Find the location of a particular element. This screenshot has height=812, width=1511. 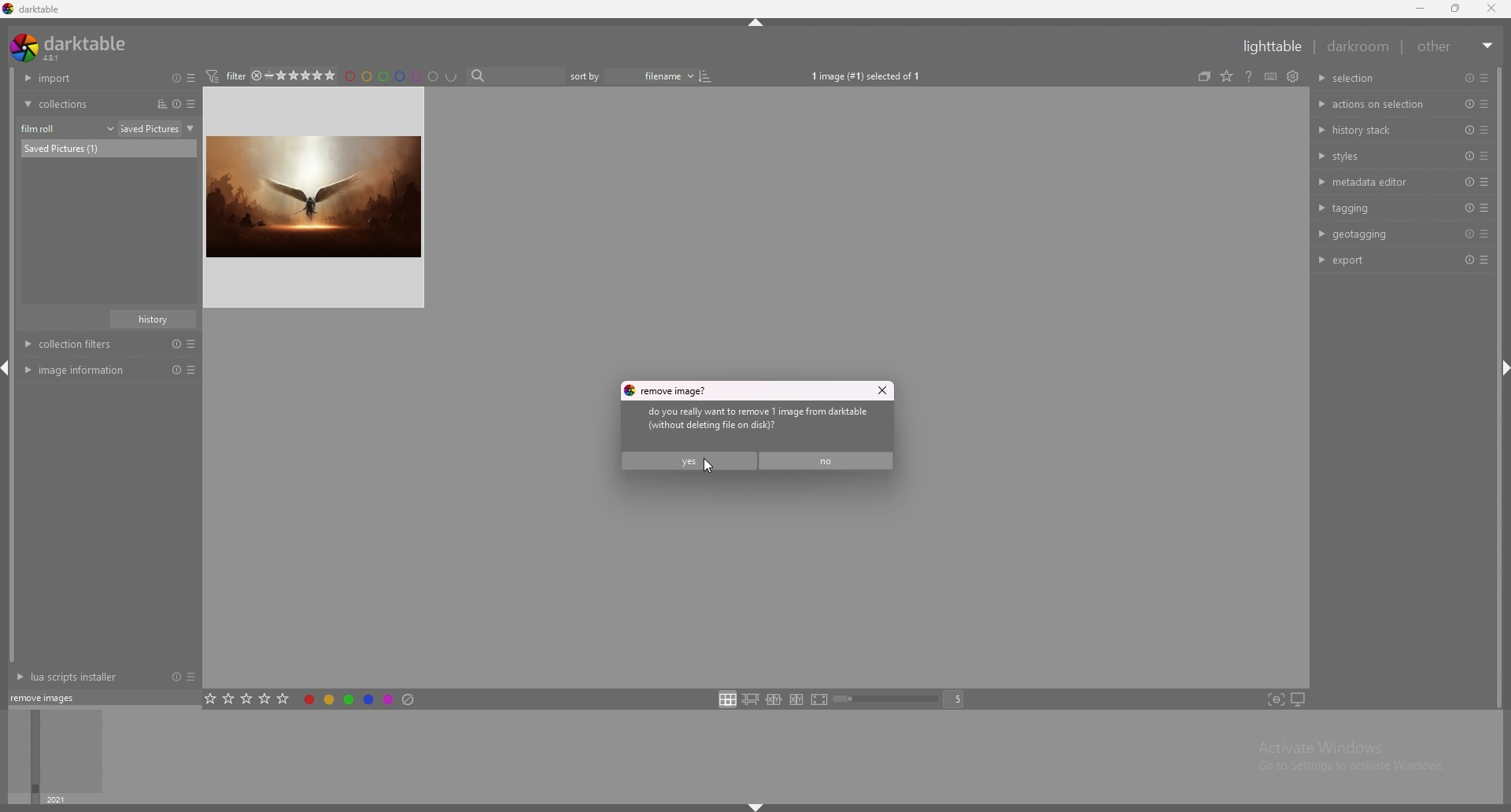

presets is located at coordinates (1484, 234).